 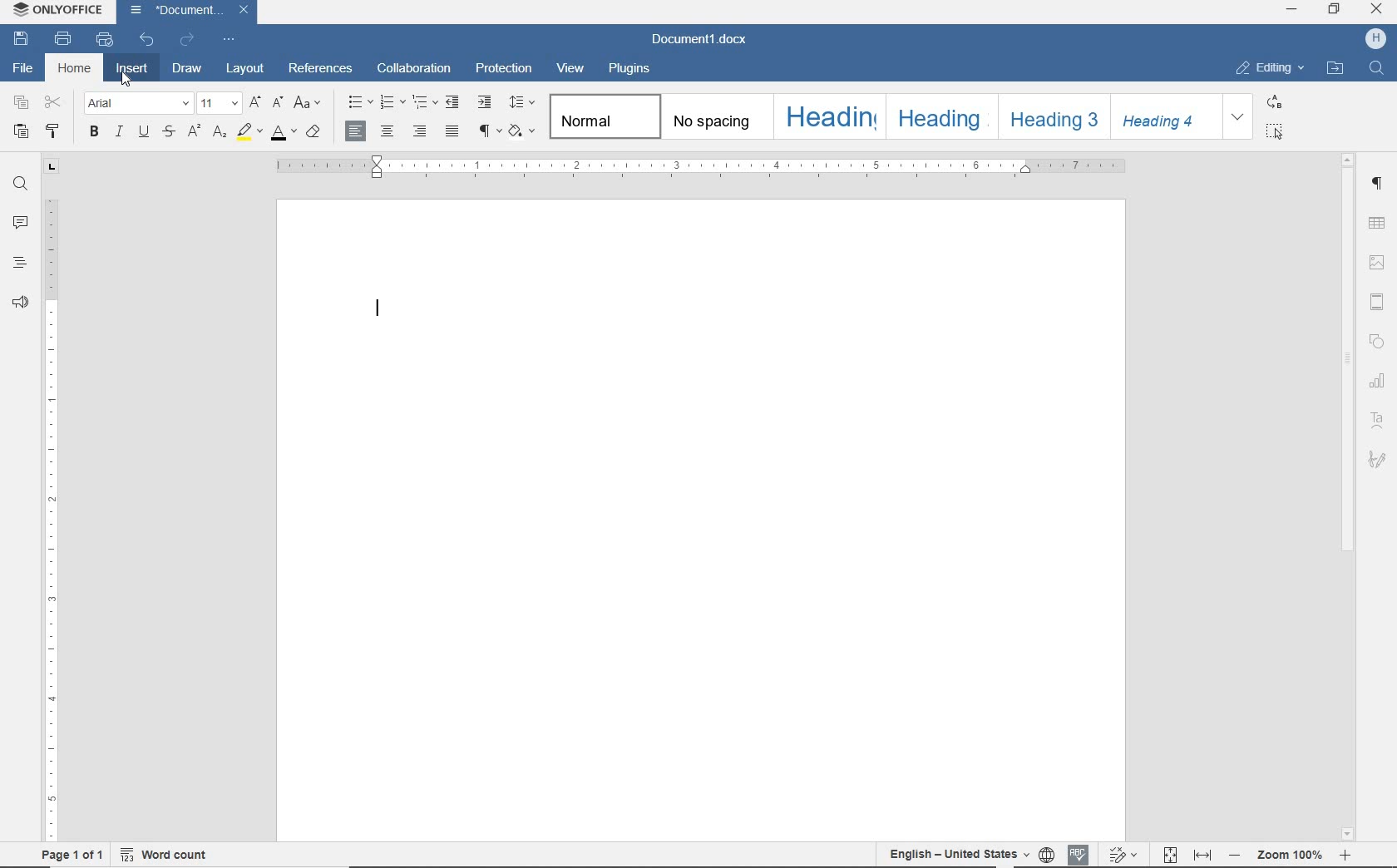 What do you see at coordinates (279, 103) in the screenshot?
I see `decrement font size` at bounding box center [279, 103].